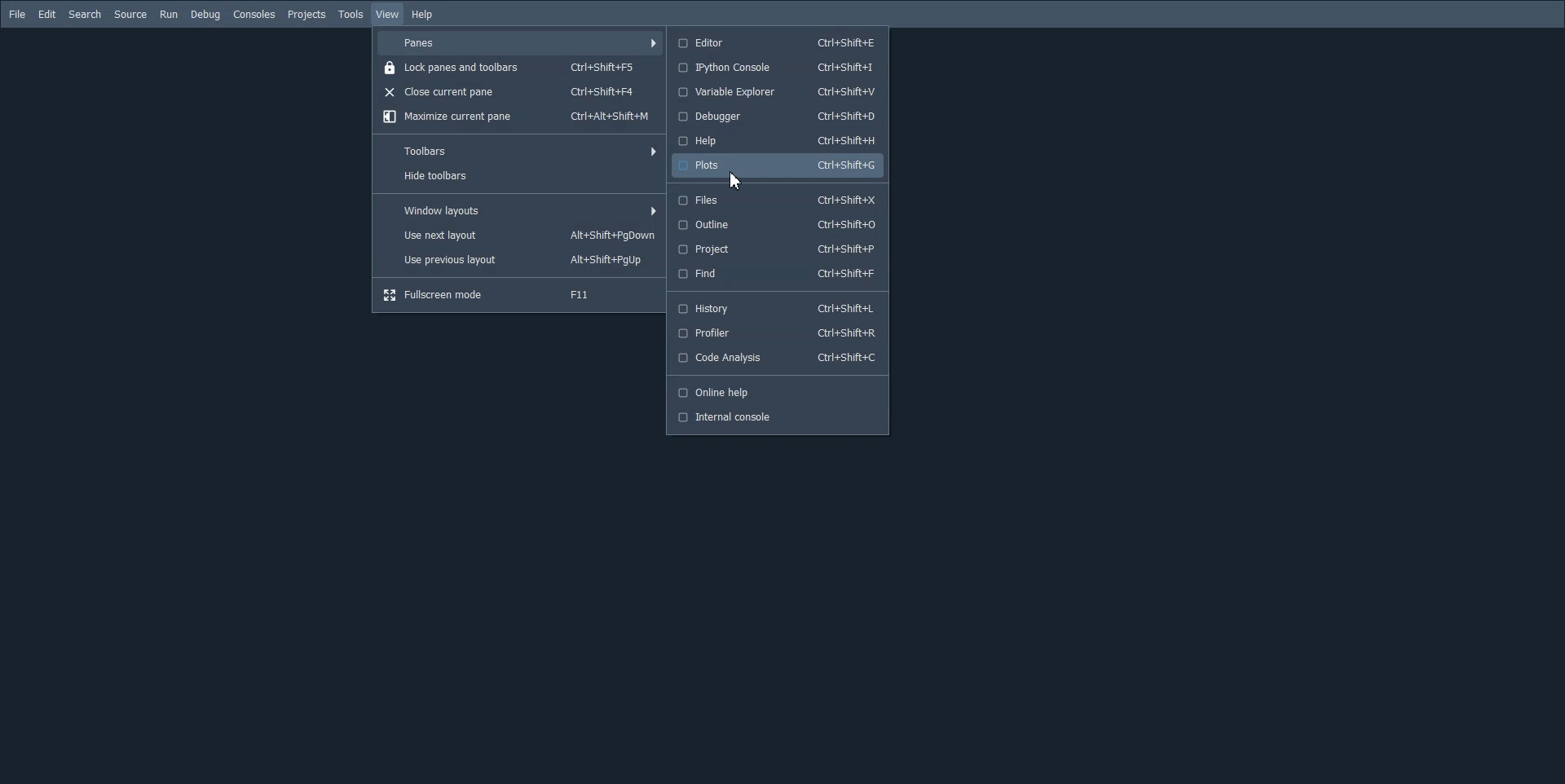 Image resolution: width=1565 pixels, height=784 pixels. I want to click on Toolbars, so click(518, 151).